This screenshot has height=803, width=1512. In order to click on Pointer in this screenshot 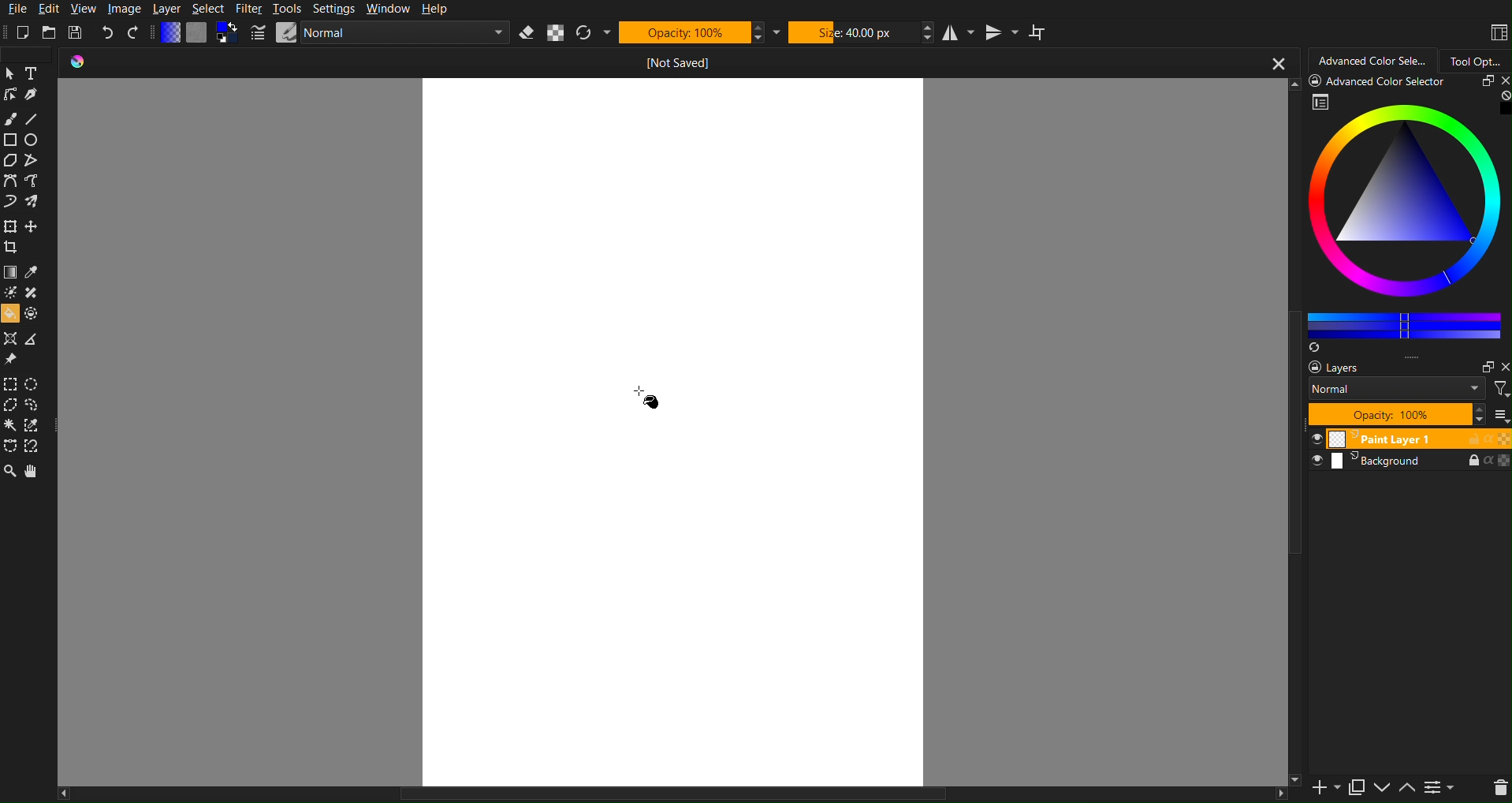, I will do `click(9, 73)`.